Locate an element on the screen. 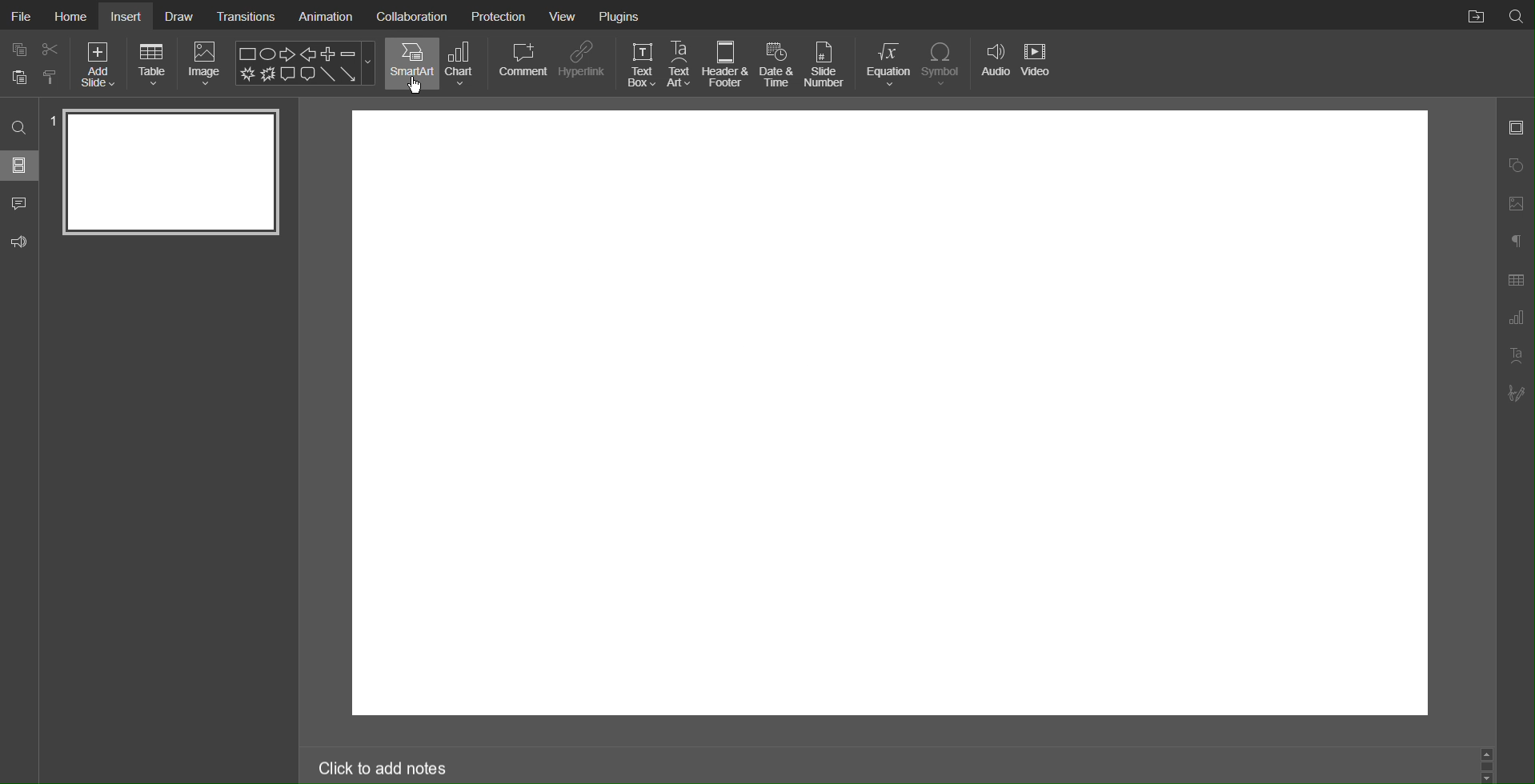 This screenshot has width=1535, height=784. paste options is located at coordinates (51, 79).